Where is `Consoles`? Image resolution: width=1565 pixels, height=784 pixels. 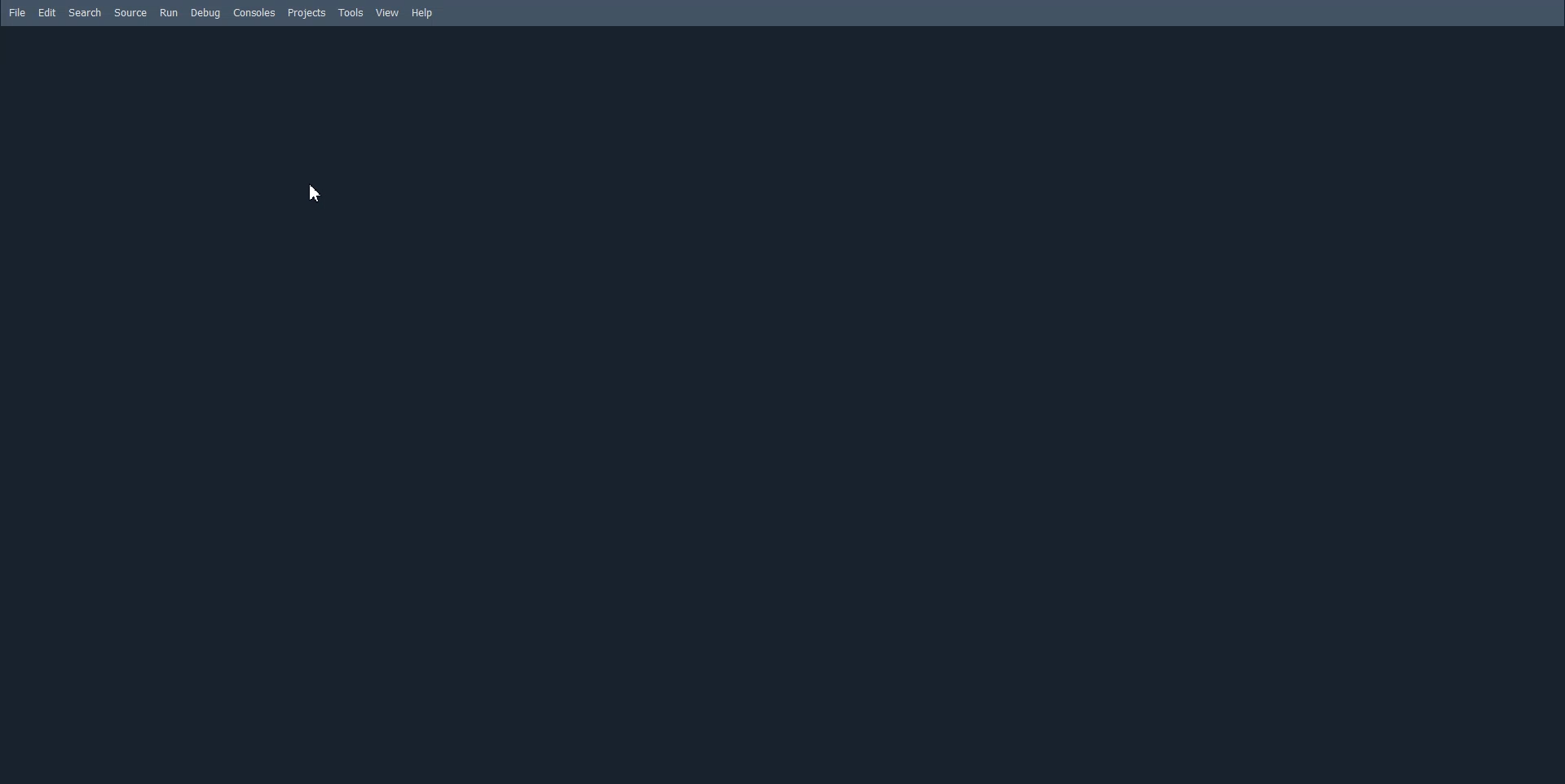 Consoles is located at coordinates (254, 12).